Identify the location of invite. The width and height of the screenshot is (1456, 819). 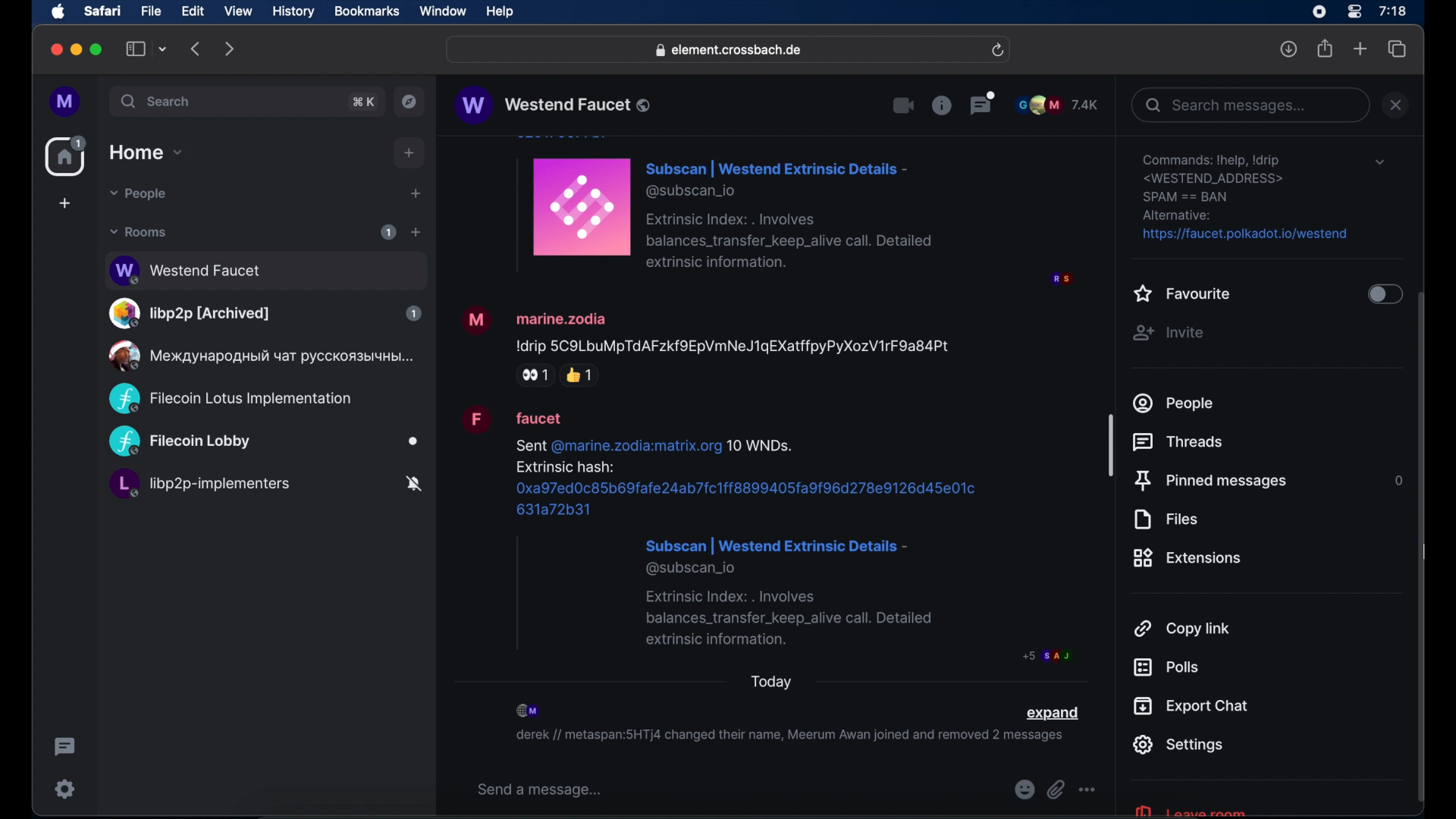
(1168, 333).